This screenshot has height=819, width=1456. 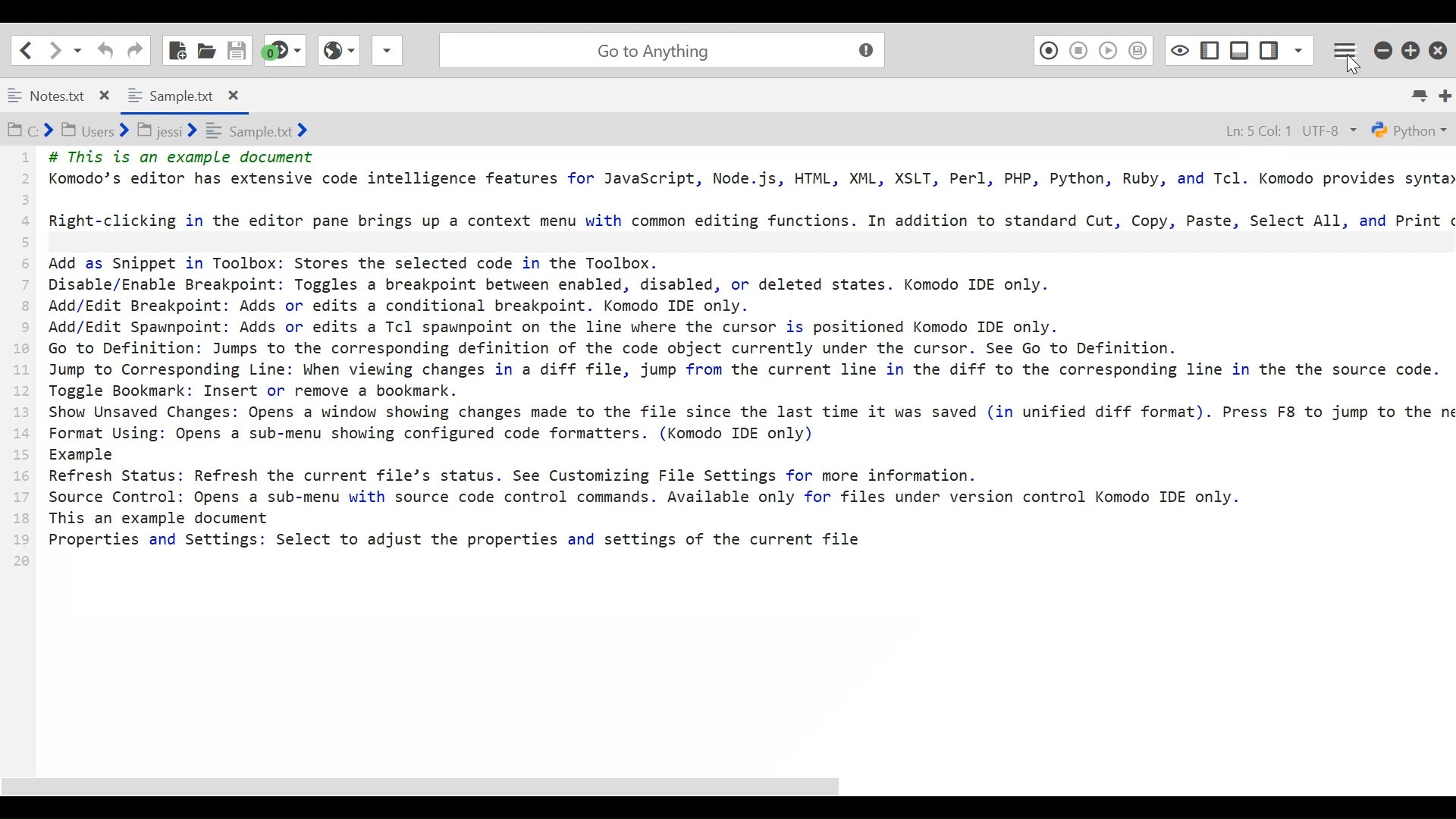 What do you see at coordinates (337, 50) in the screenshot?
I see `View Browser` at bounding box center [337, 50].